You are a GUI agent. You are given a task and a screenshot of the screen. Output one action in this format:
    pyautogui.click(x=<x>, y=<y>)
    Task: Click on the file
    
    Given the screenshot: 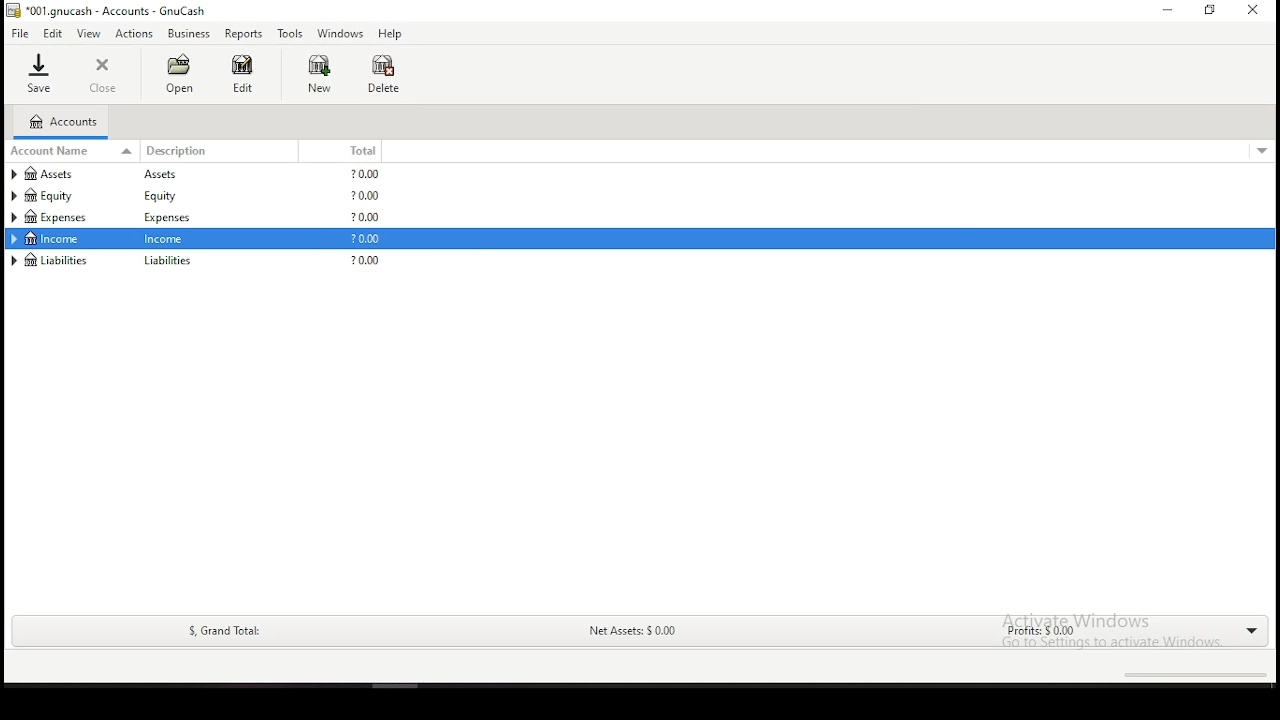 What is the action you would take?
    pyautogui.click(x=19, y=34)
    